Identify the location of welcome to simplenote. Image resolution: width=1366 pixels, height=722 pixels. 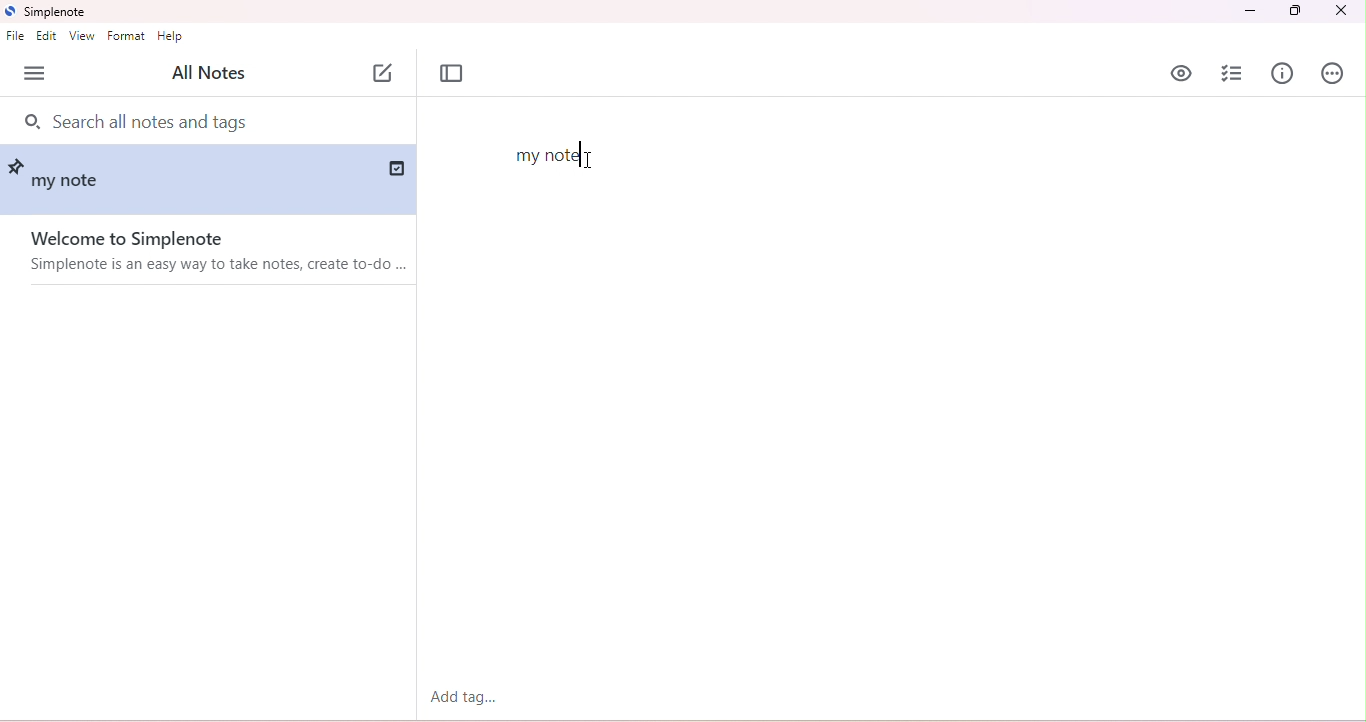
(207, 252).